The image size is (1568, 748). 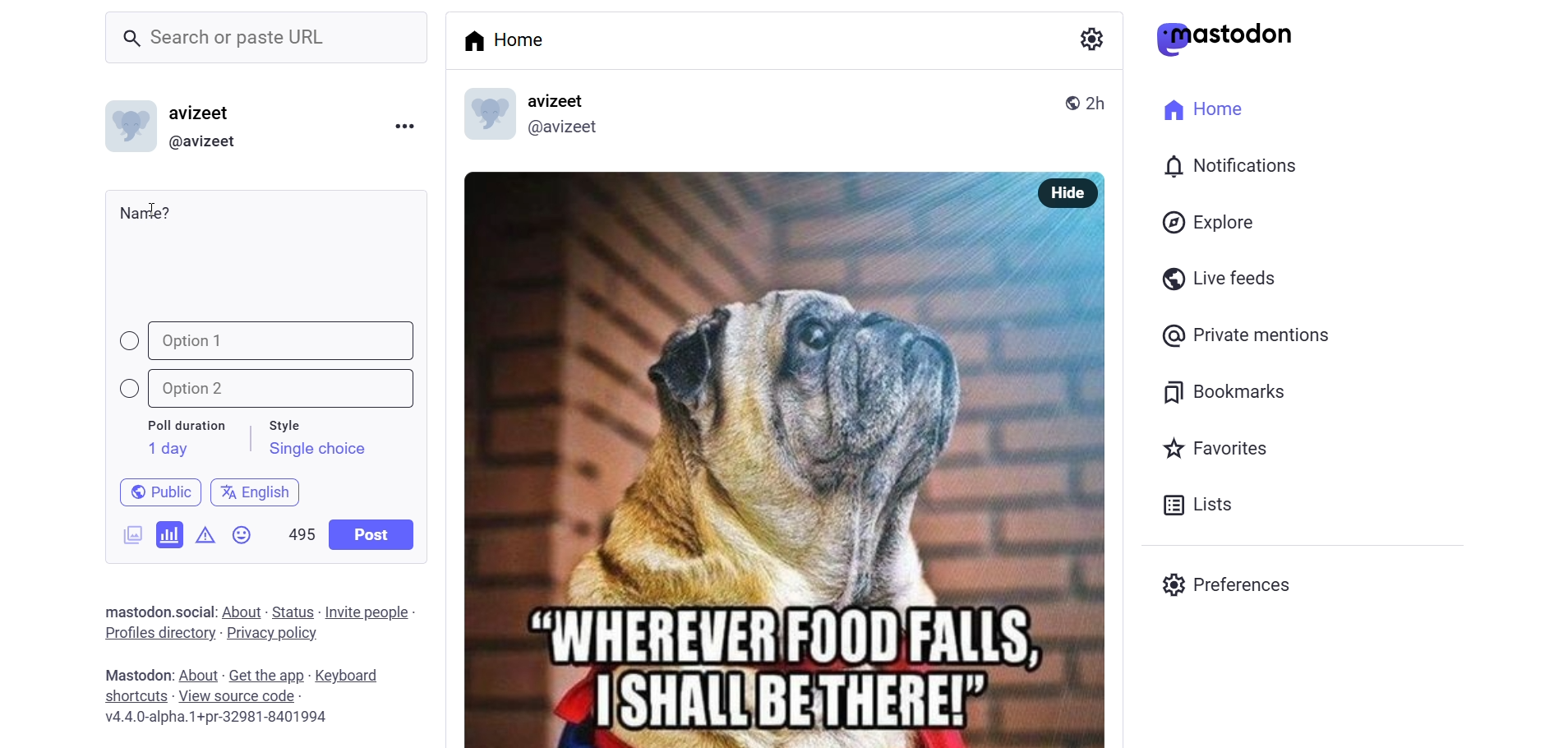 I want to click on mastodon, so click(x=1225, y=39).